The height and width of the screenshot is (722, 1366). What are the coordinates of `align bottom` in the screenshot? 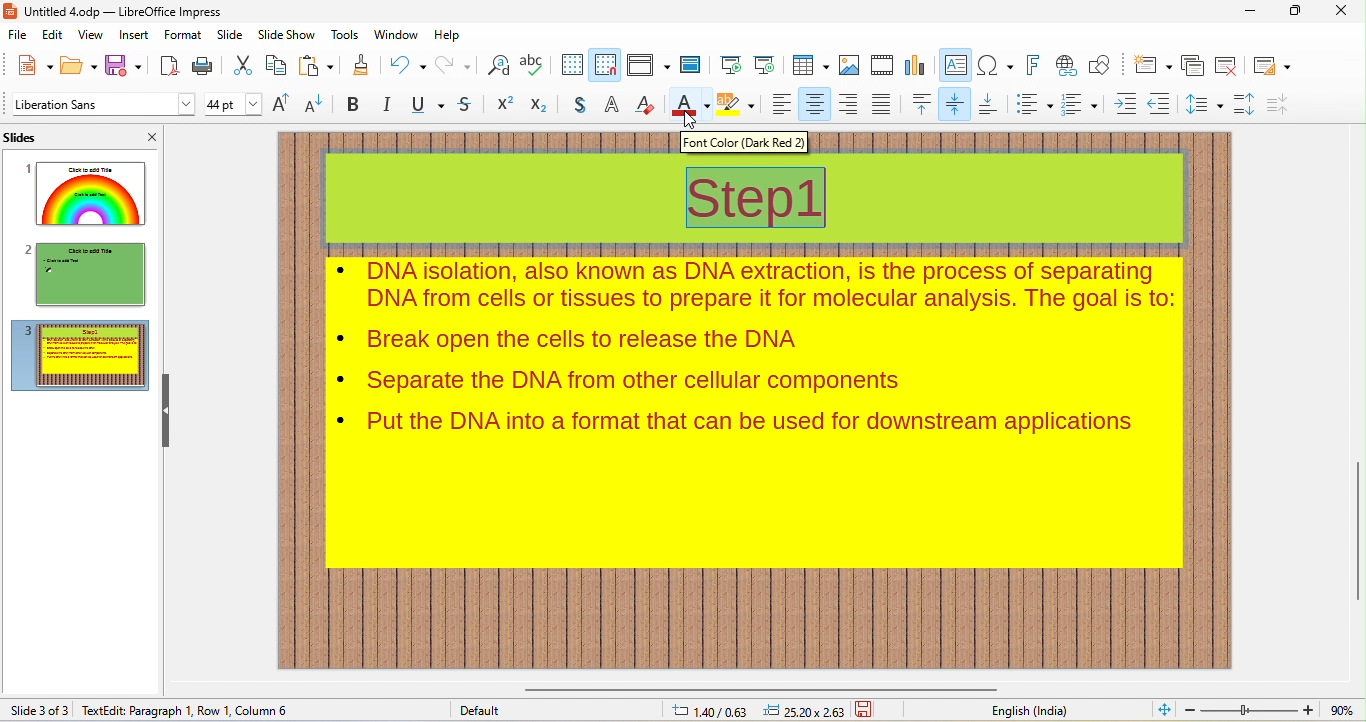 It's located at (990, 104).